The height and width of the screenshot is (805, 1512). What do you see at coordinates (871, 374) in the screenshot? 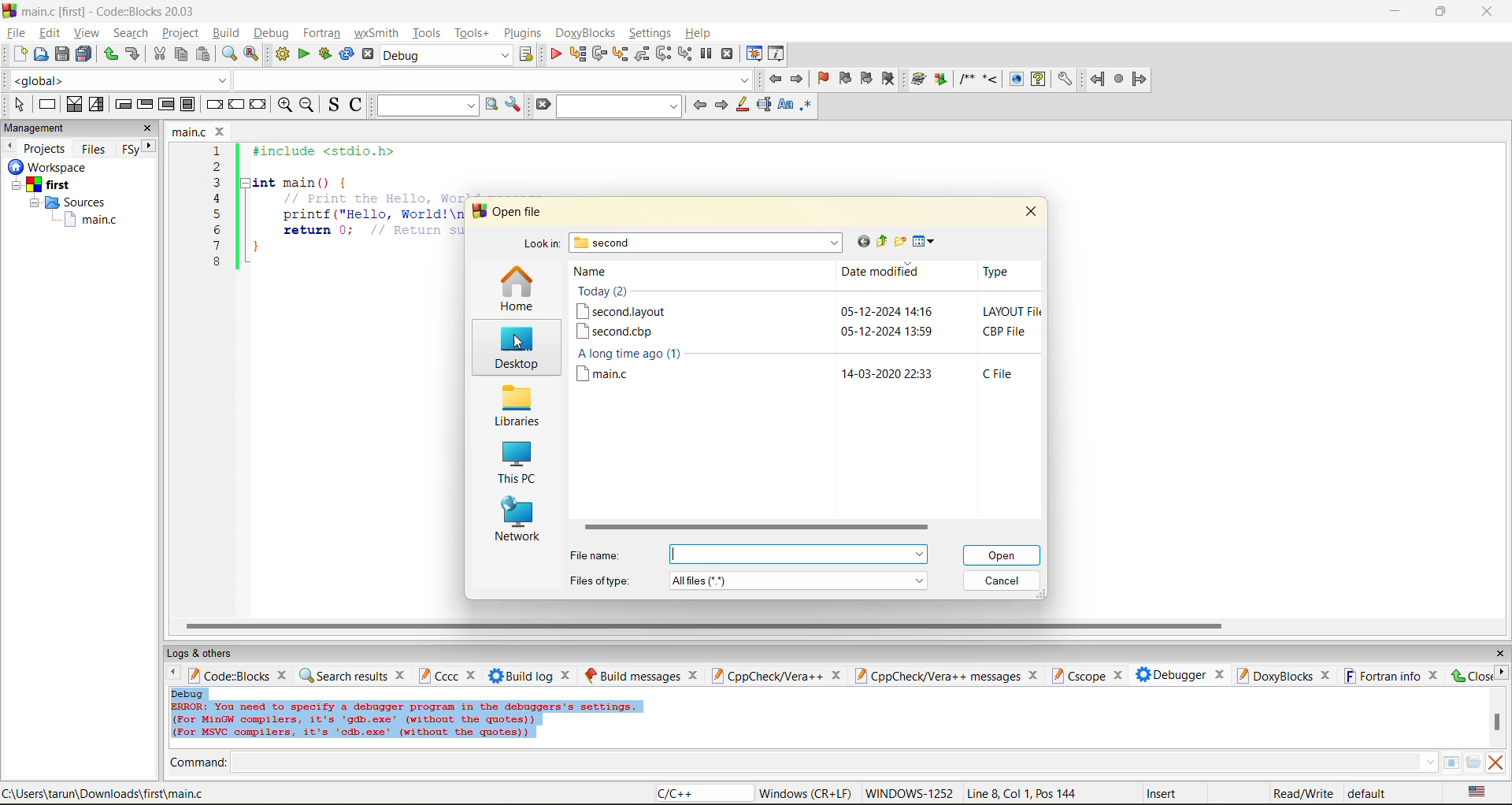
I see `date` at bounding box center [871, 374].